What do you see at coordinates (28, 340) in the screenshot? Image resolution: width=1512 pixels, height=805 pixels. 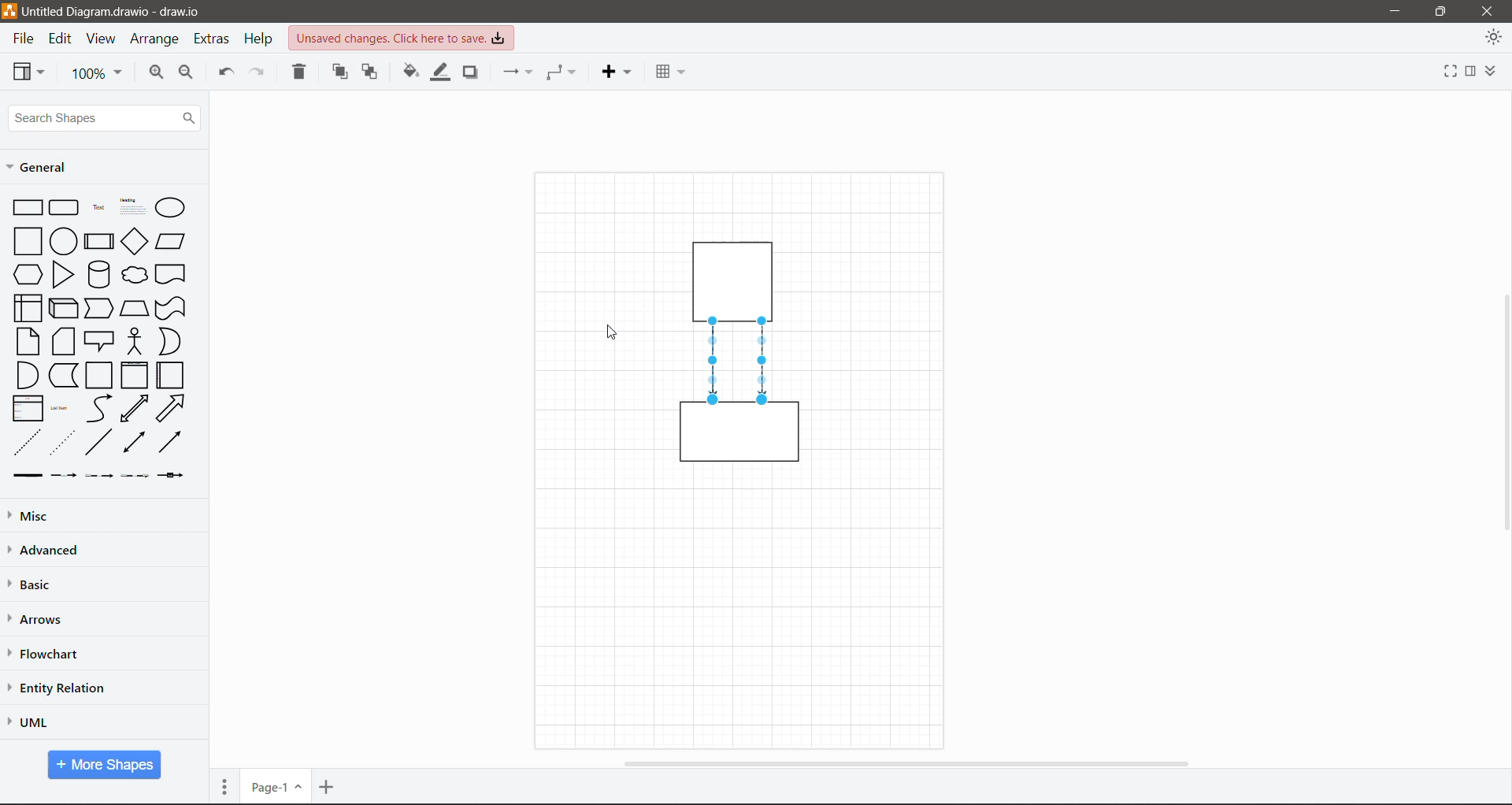 I see `Note` at bounding box center [28, 340].